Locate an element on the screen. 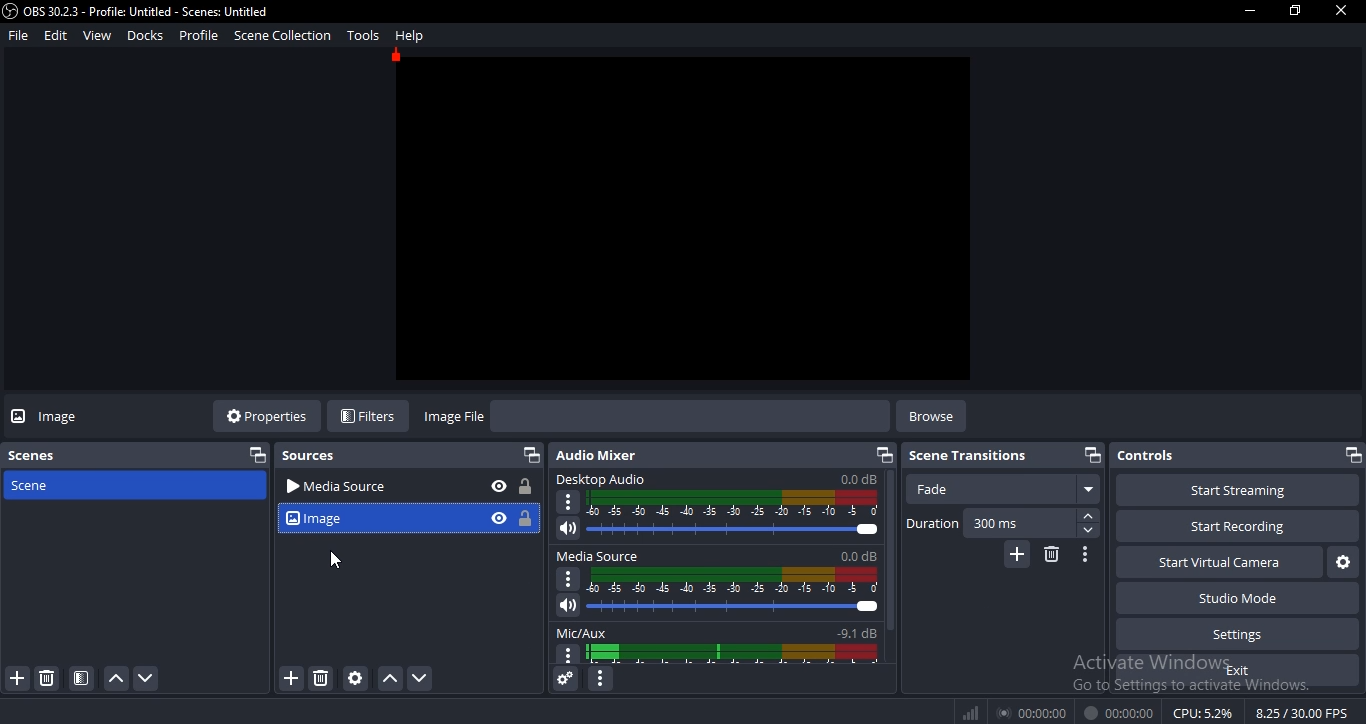 The width and height of the screenshot is (1366, 724). move down is located at coordinates (148, 679).